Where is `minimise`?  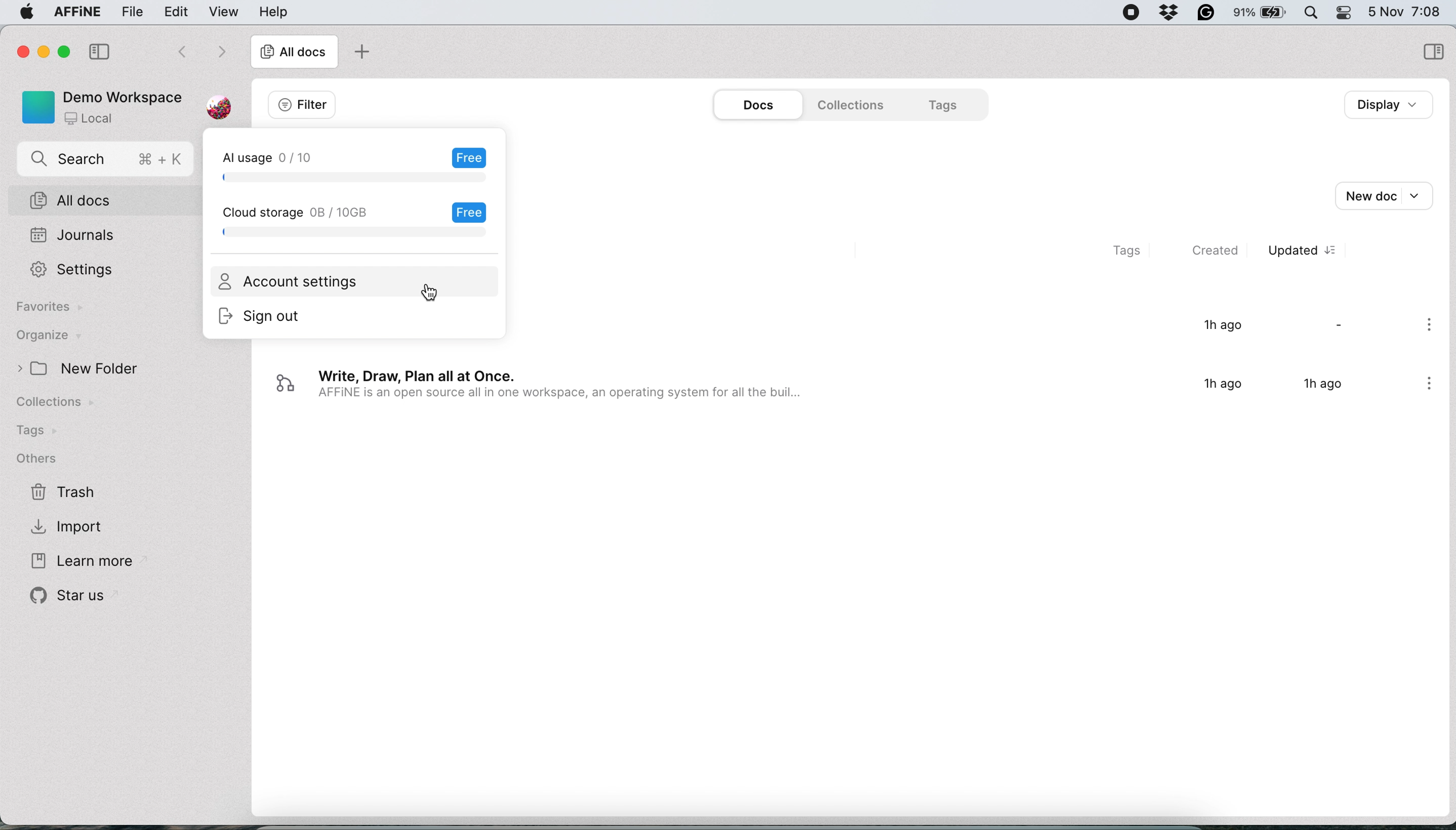 minimise is located at coordinates (40, 51).